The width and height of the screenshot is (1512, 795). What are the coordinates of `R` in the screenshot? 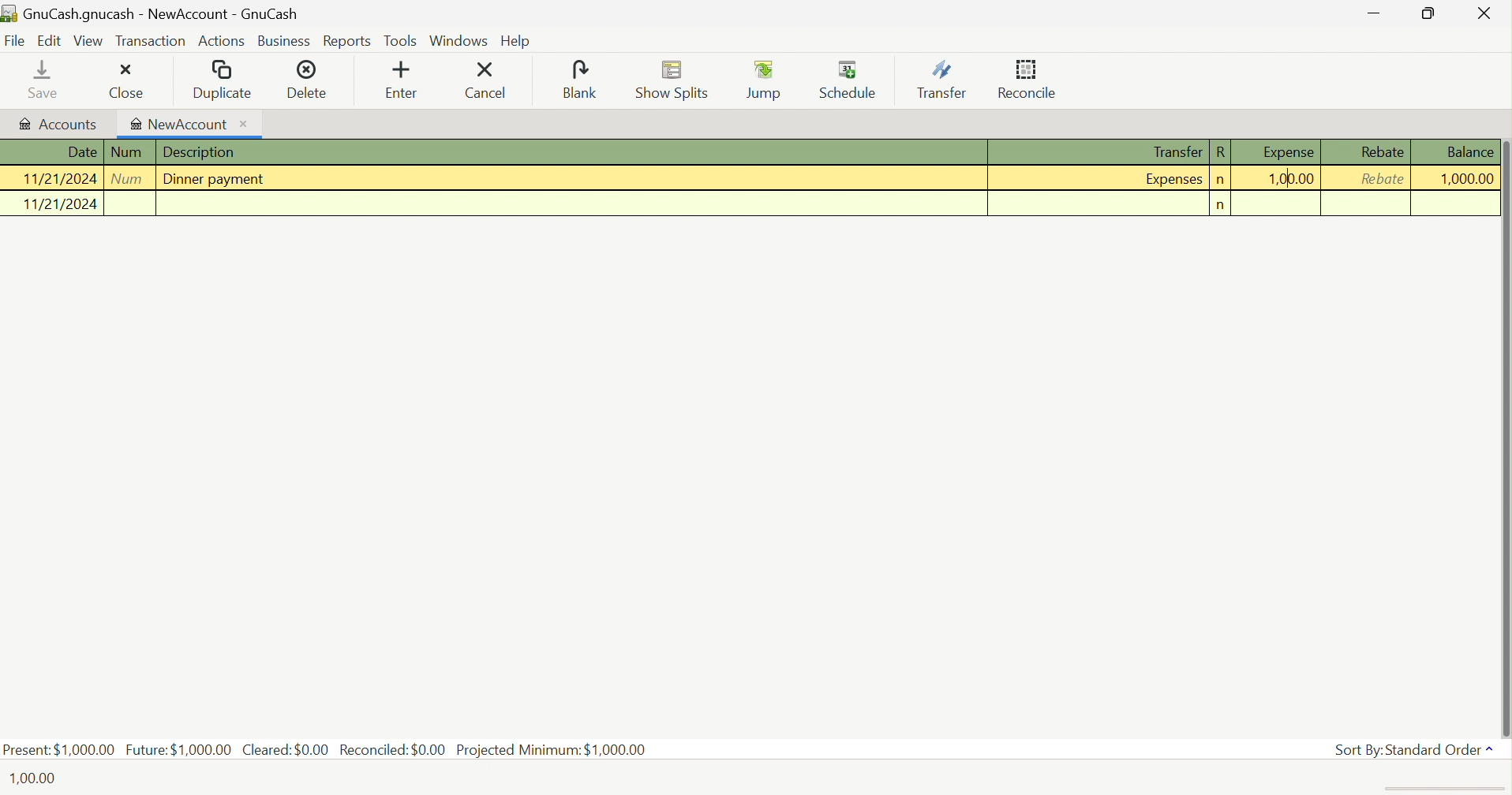 It's located at (1221, 153).